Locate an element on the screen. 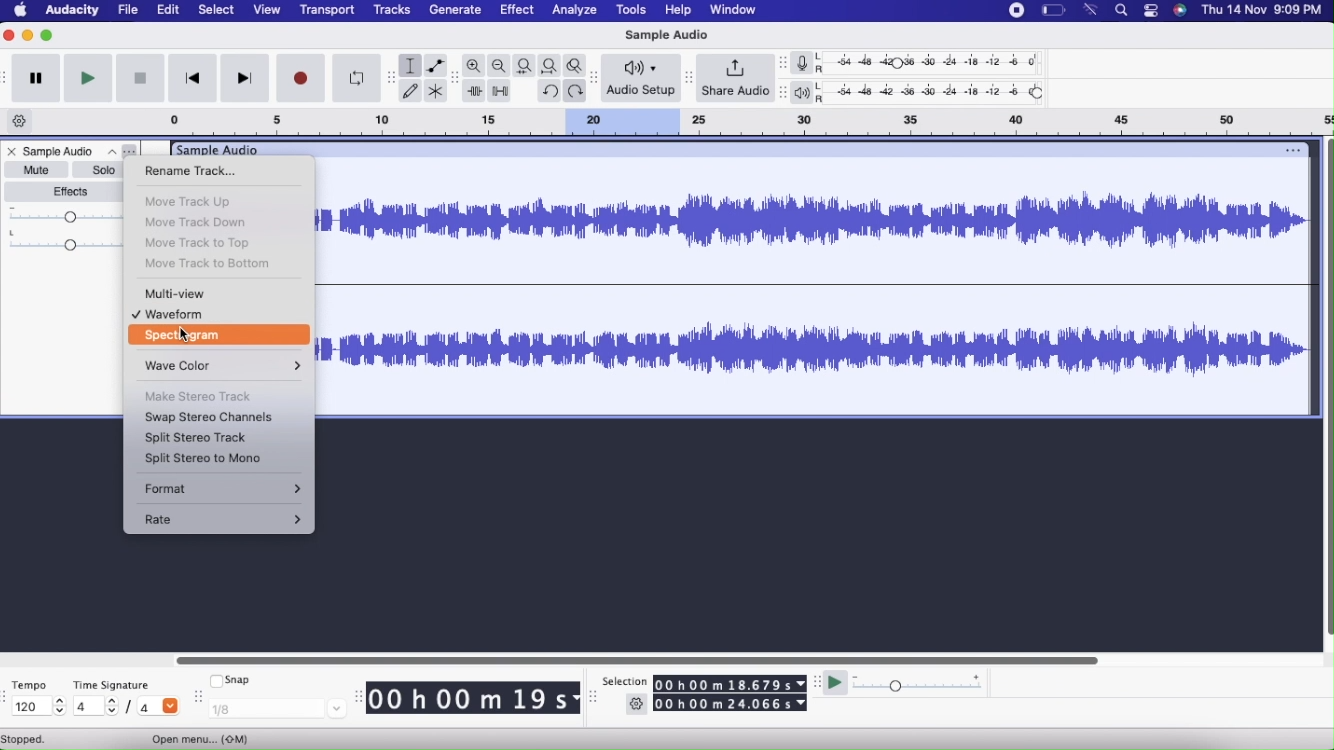 The width and height of the screenshot is (1334, 750). move toolbar is located at coordinates (594, 700).